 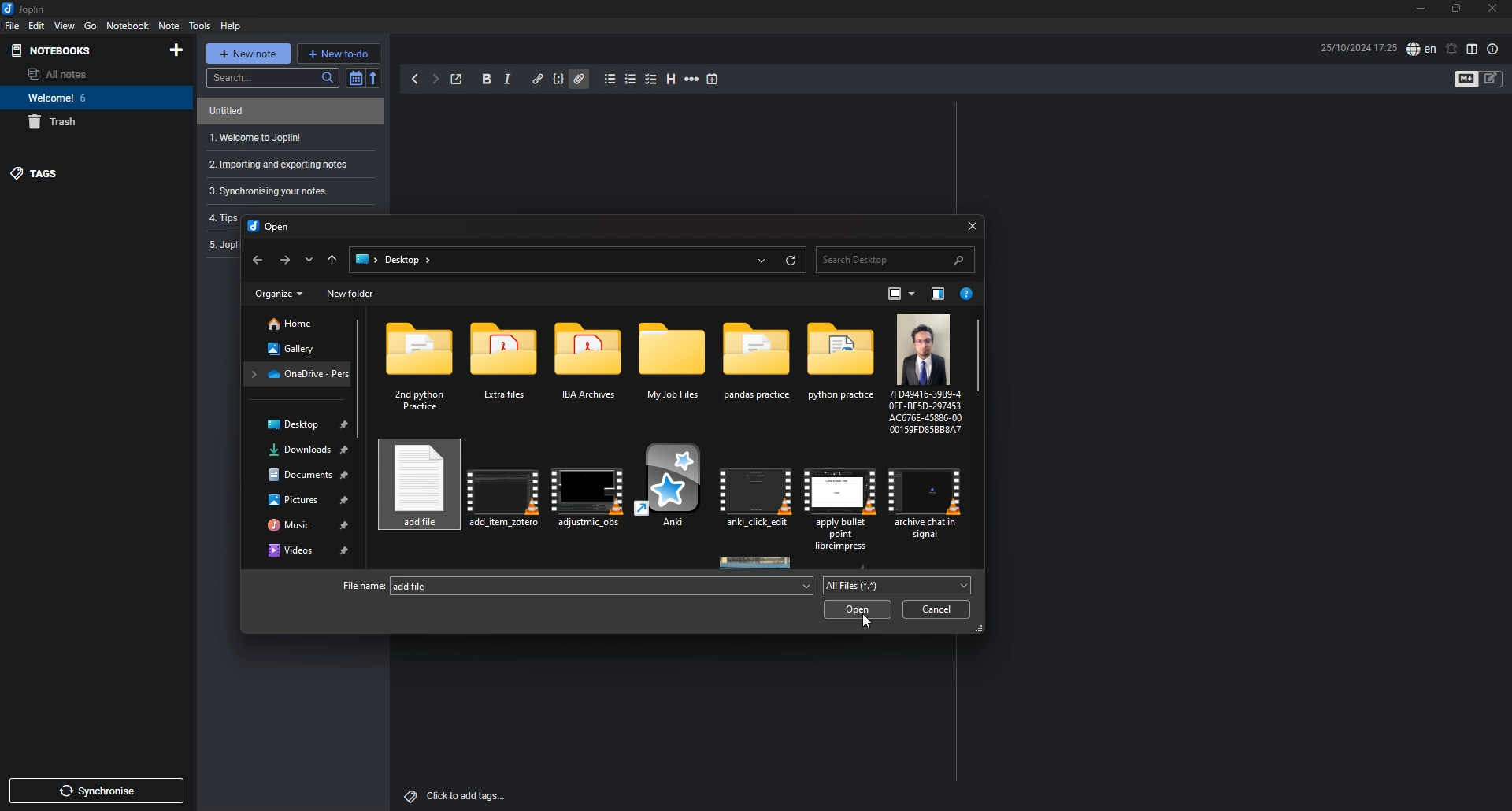 I want to click on synchronise, so click(x=95, y=791).